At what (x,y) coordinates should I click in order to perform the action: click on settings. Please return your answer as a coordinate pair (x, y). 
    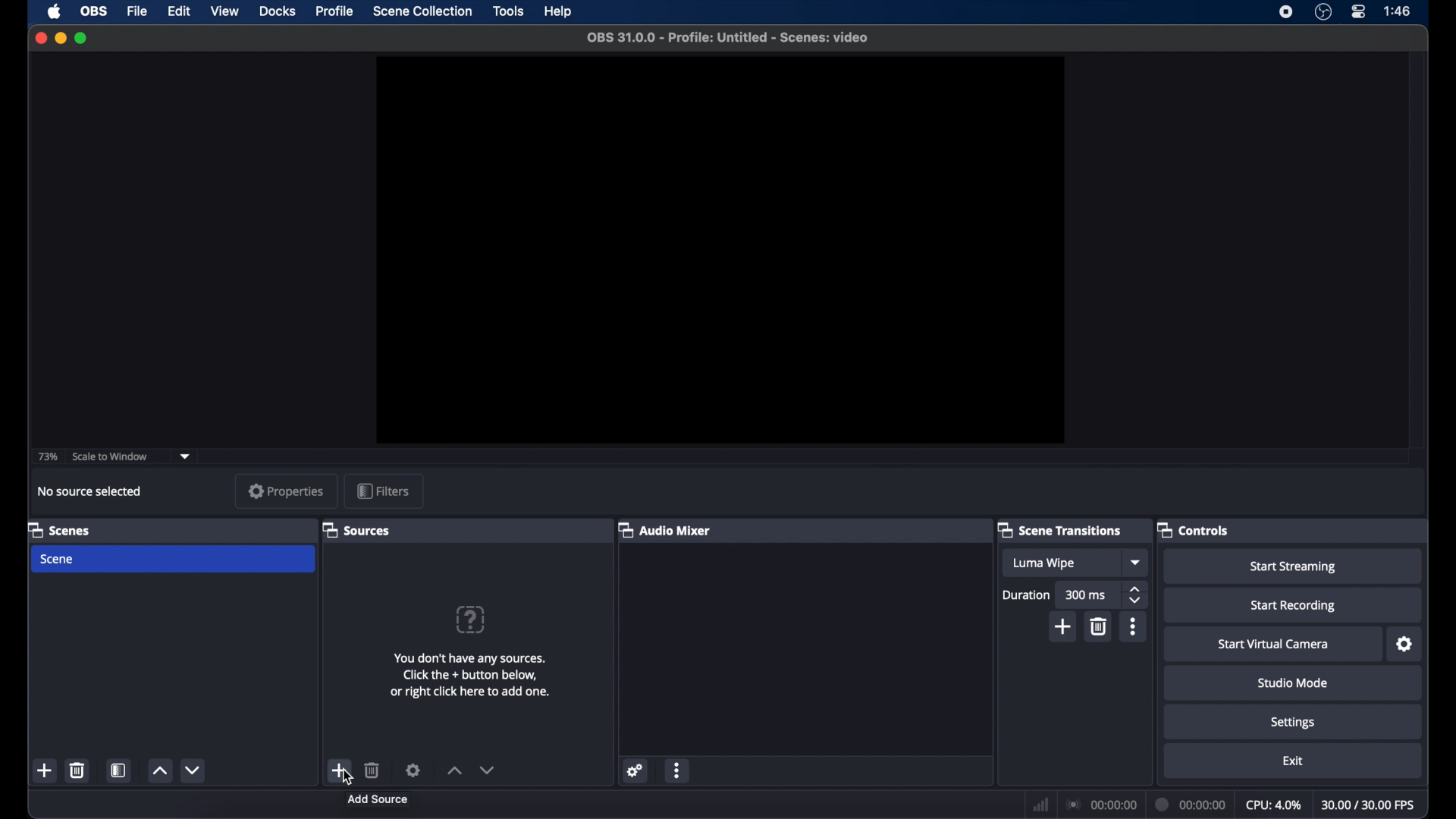
    Looking at the image, I should click on (636, 770).